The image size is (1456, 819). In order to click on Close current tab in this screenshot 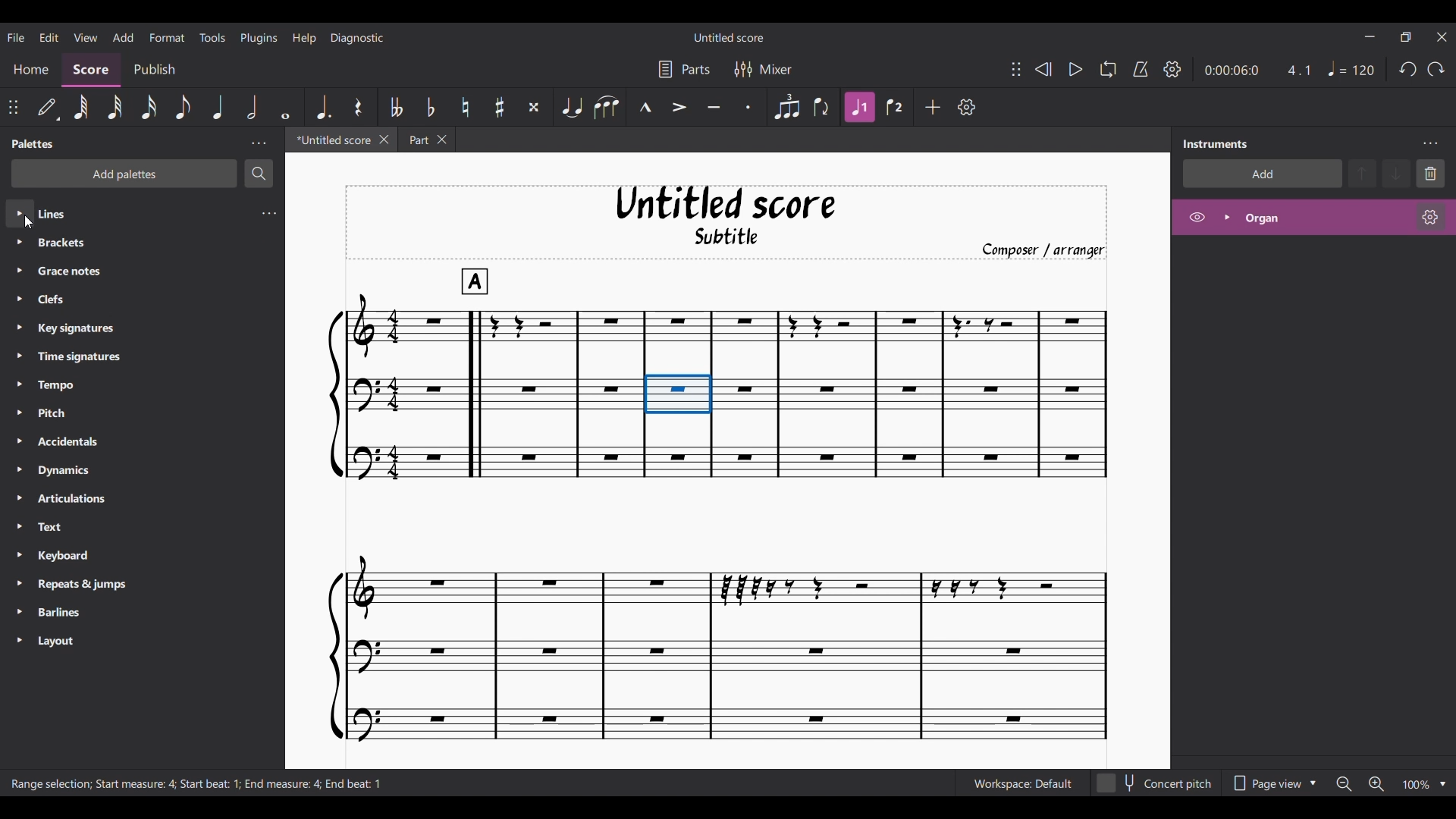, I will do `click(384, 140)`.